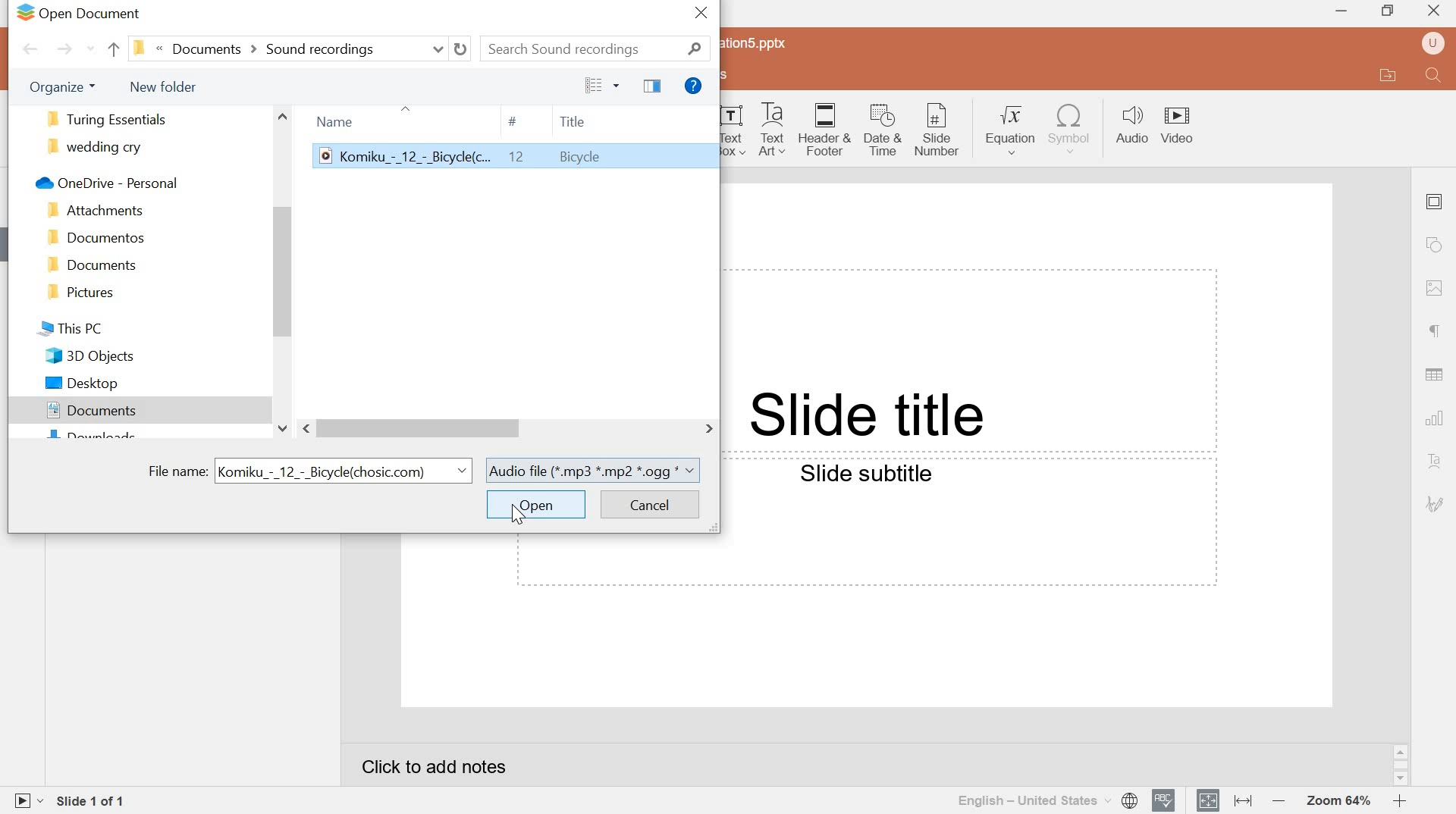  Describe the element at coordinates (284, 116) in the screenshot. I see `scroll up` at that location.